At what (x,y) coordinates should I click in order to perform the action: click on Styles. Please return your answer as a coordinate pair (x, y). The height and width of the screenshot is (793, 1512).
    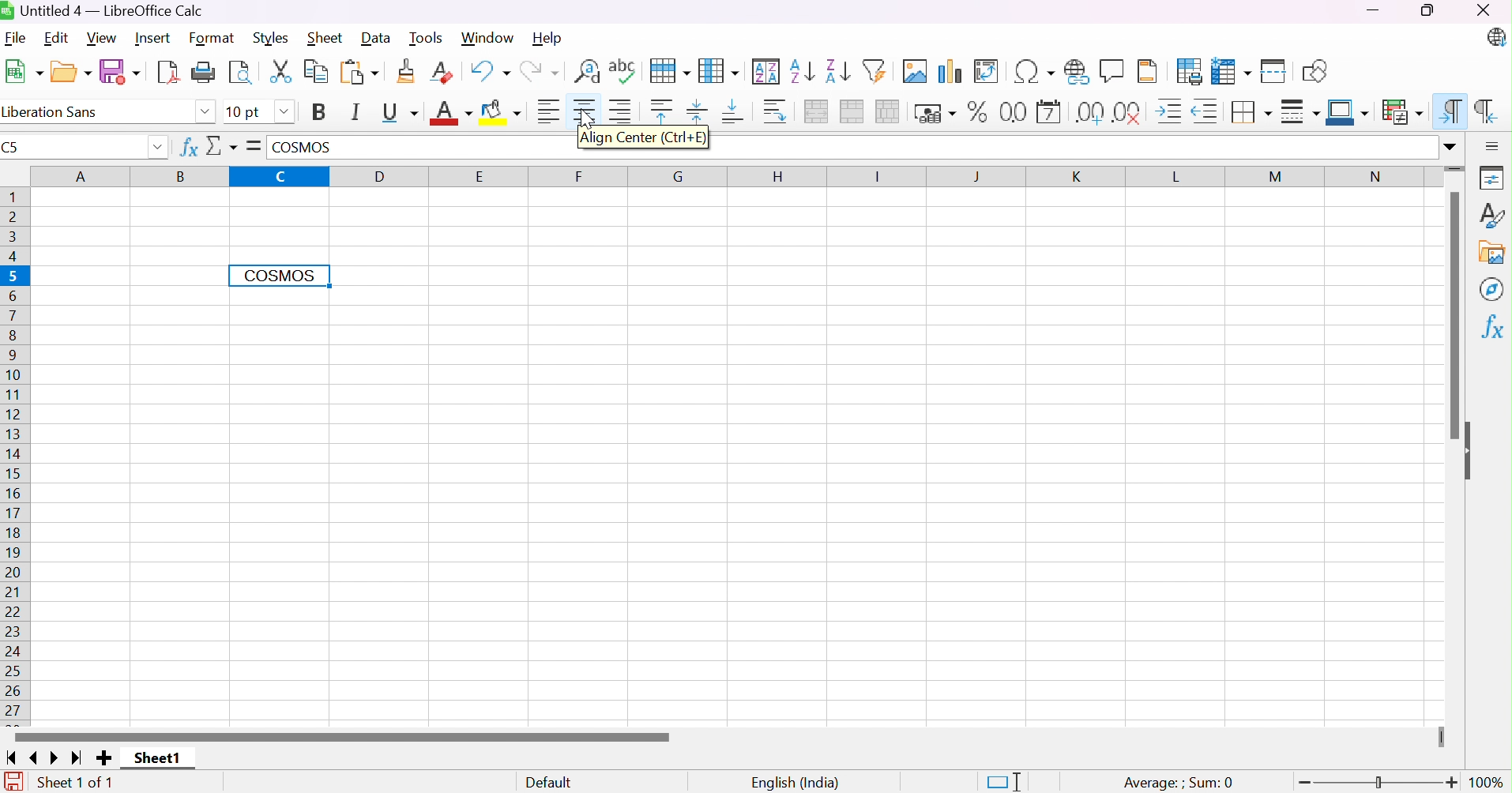
    Looking at the image, I should click on (271, 38).